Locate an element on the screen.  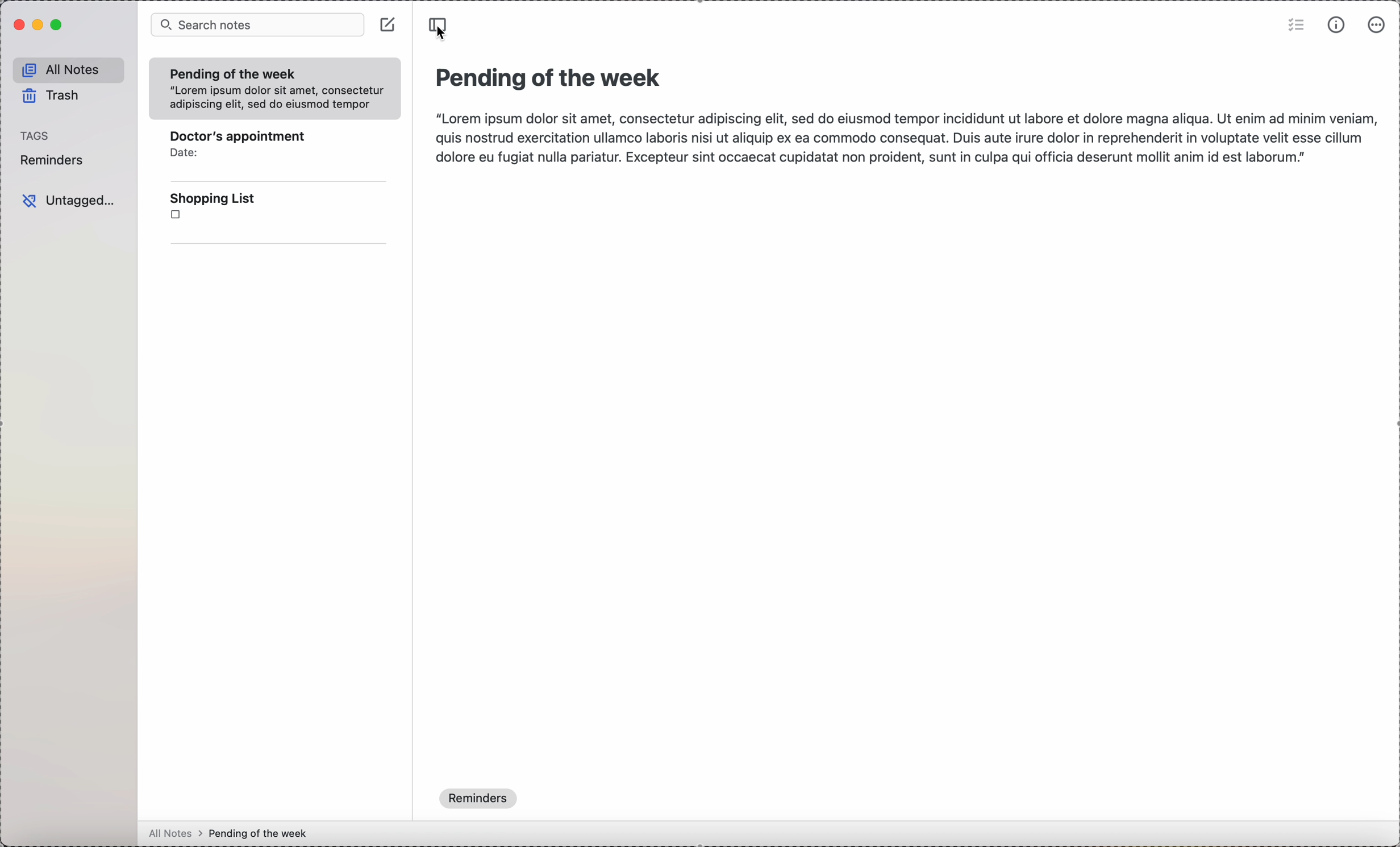
close program is located at coordinates (19, 24).